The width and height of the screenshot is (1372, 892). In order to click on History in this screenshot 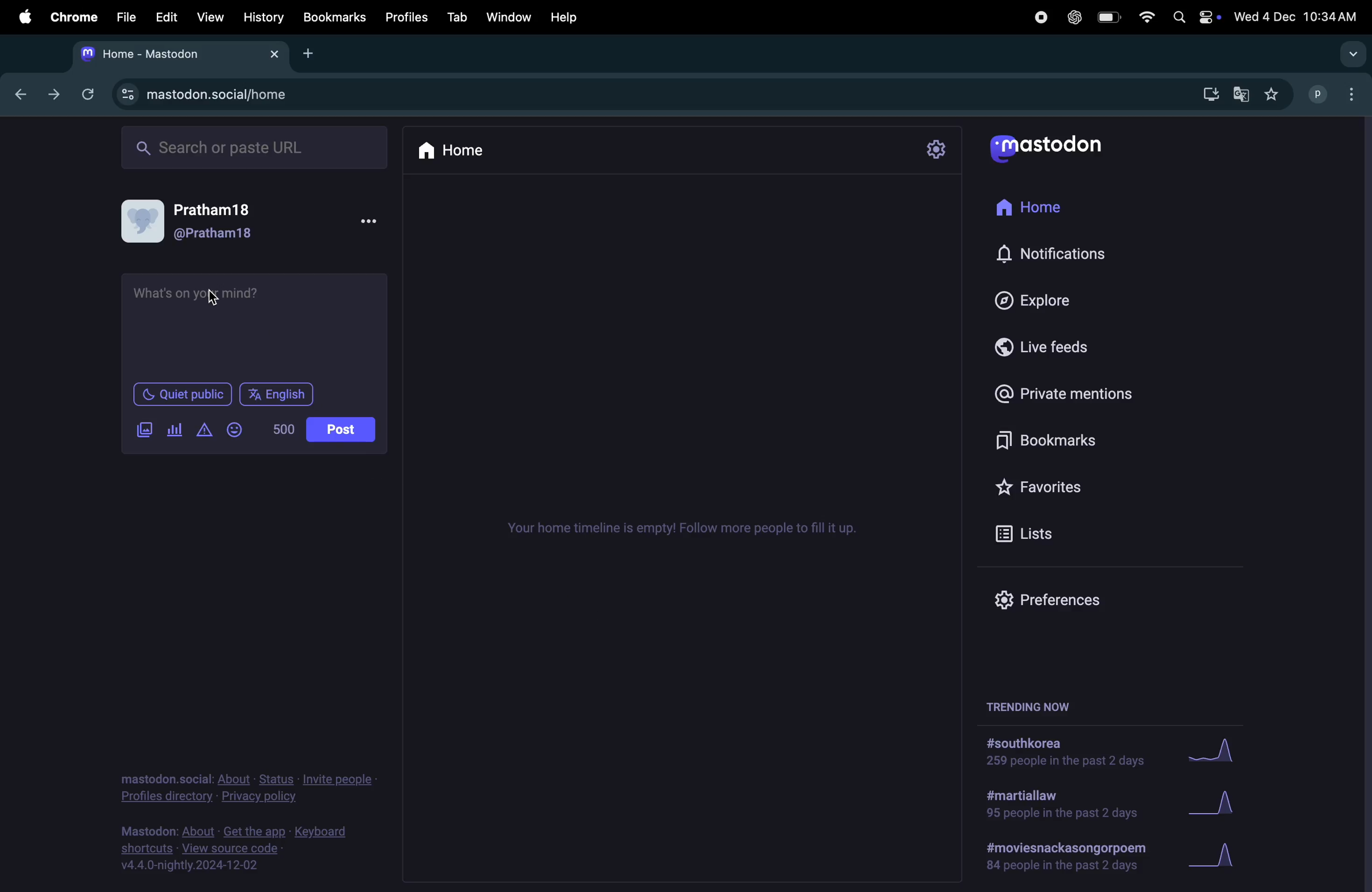, I will do `click(263, 17)`.